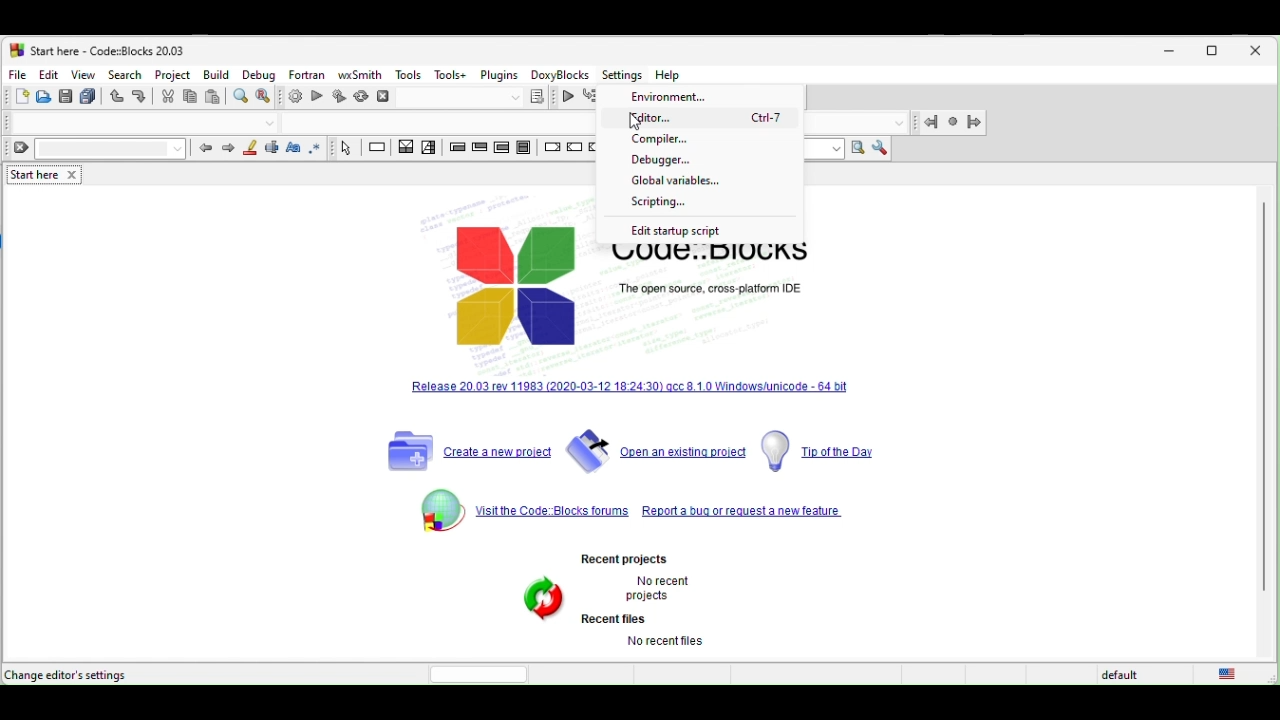 This screenshot has width=1280, height=720. I want to click on show option window, so click(883, 149).